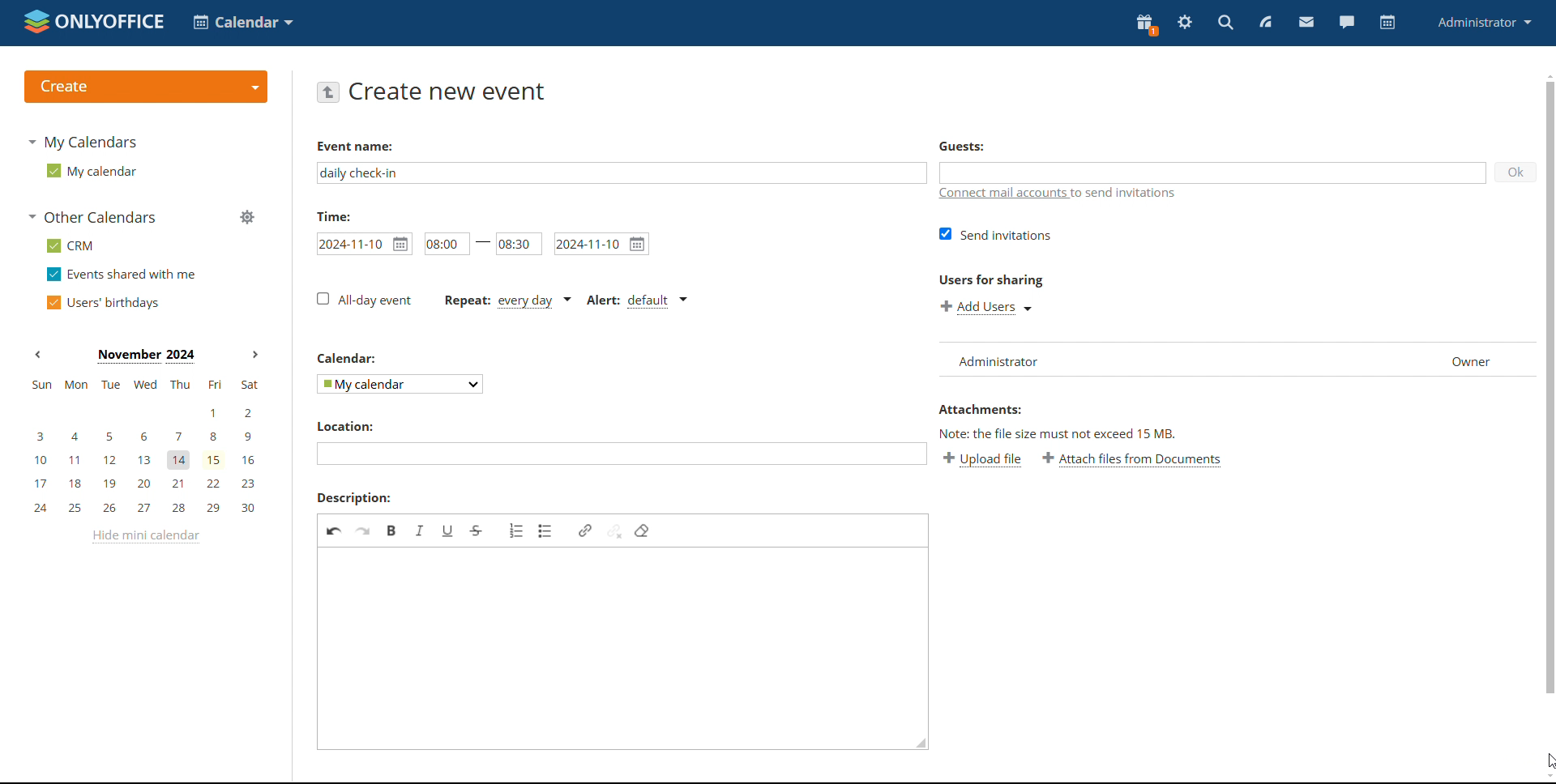 This screenshot has width=1556, height=784. Describe the element at coordinates (362, 300) in the screenshot. I see `all-day event checkbox` at that location.